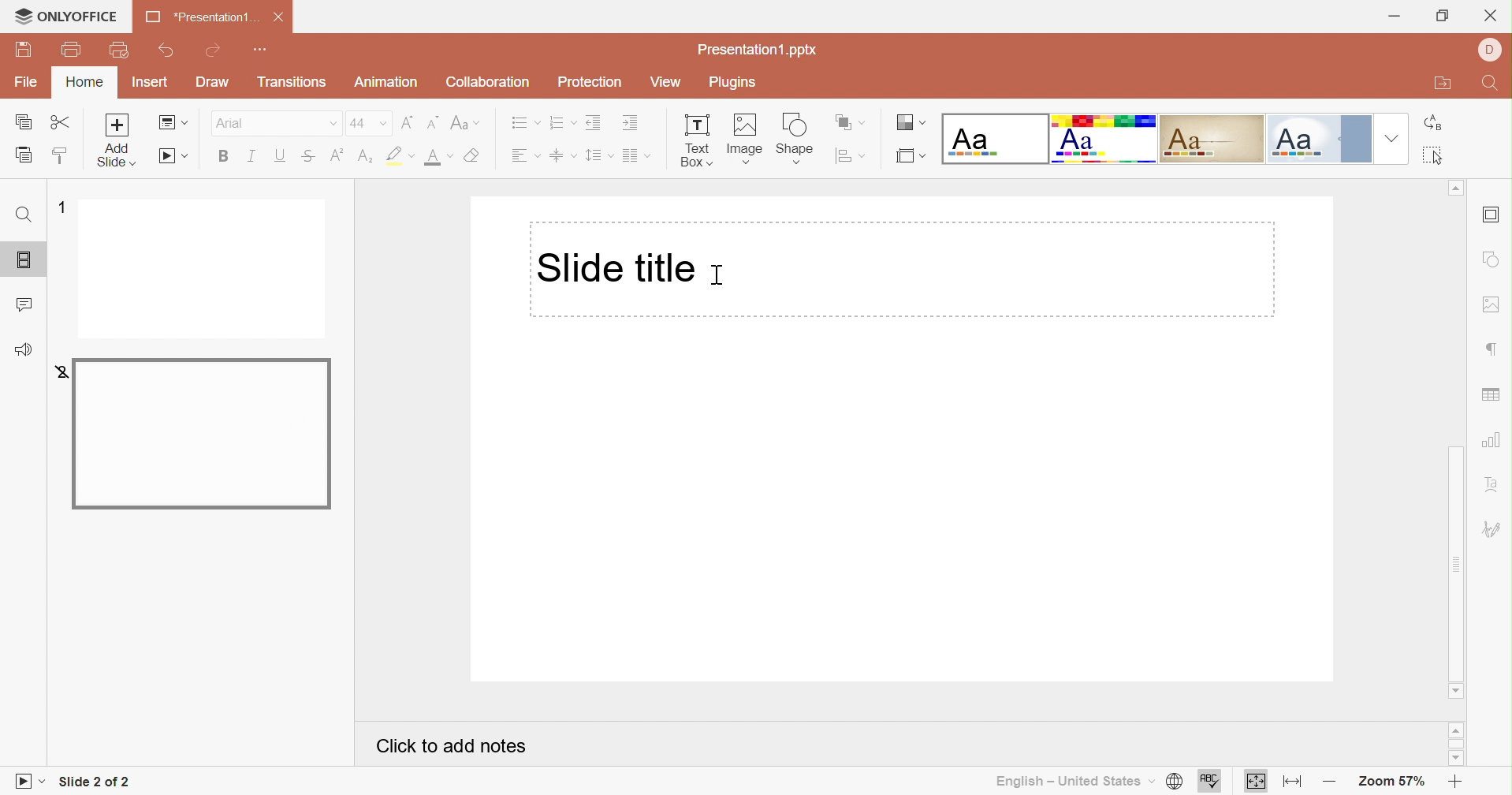  I want to click on Paste, so click(26, 155).